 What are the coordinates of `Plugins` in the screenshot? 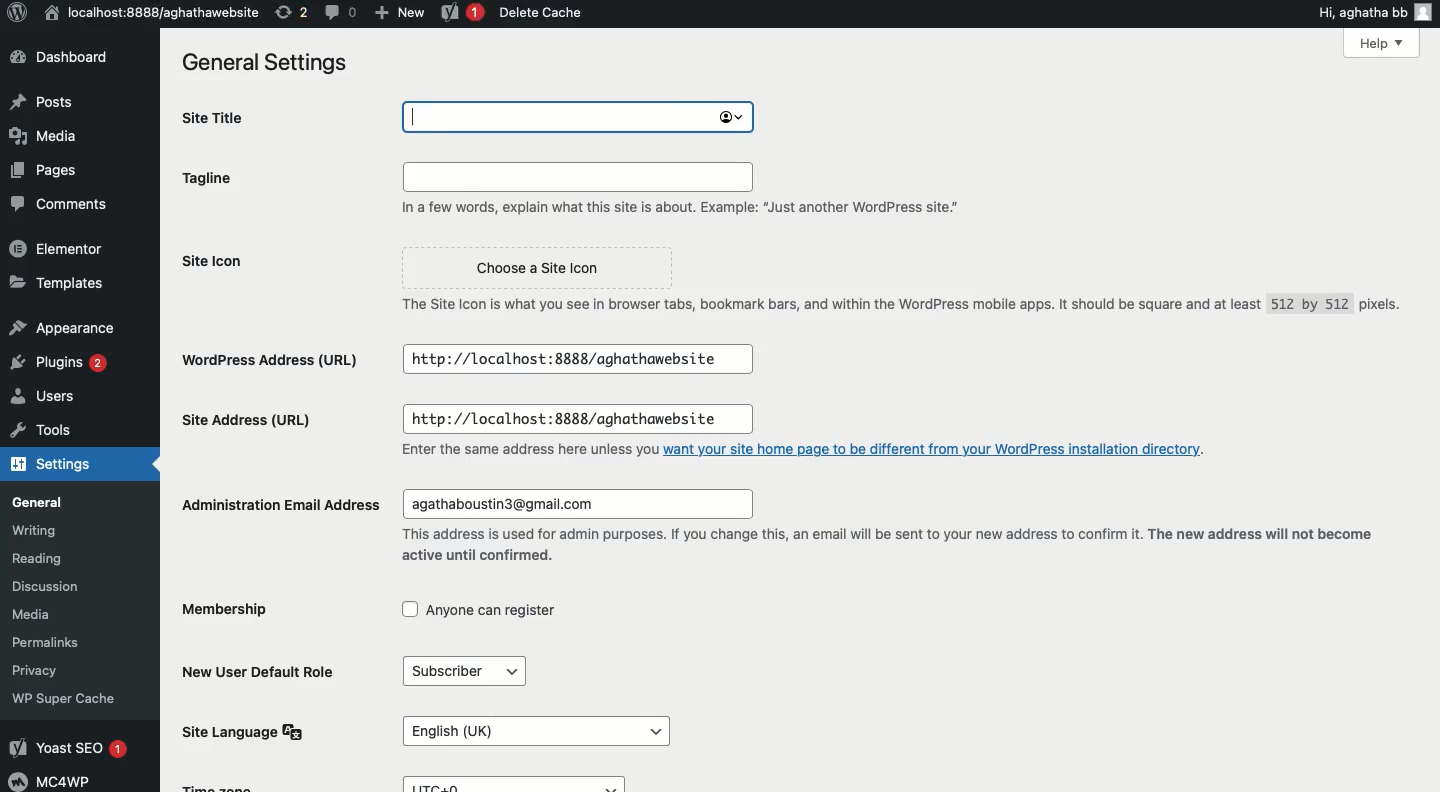 It's located at (63, 363).